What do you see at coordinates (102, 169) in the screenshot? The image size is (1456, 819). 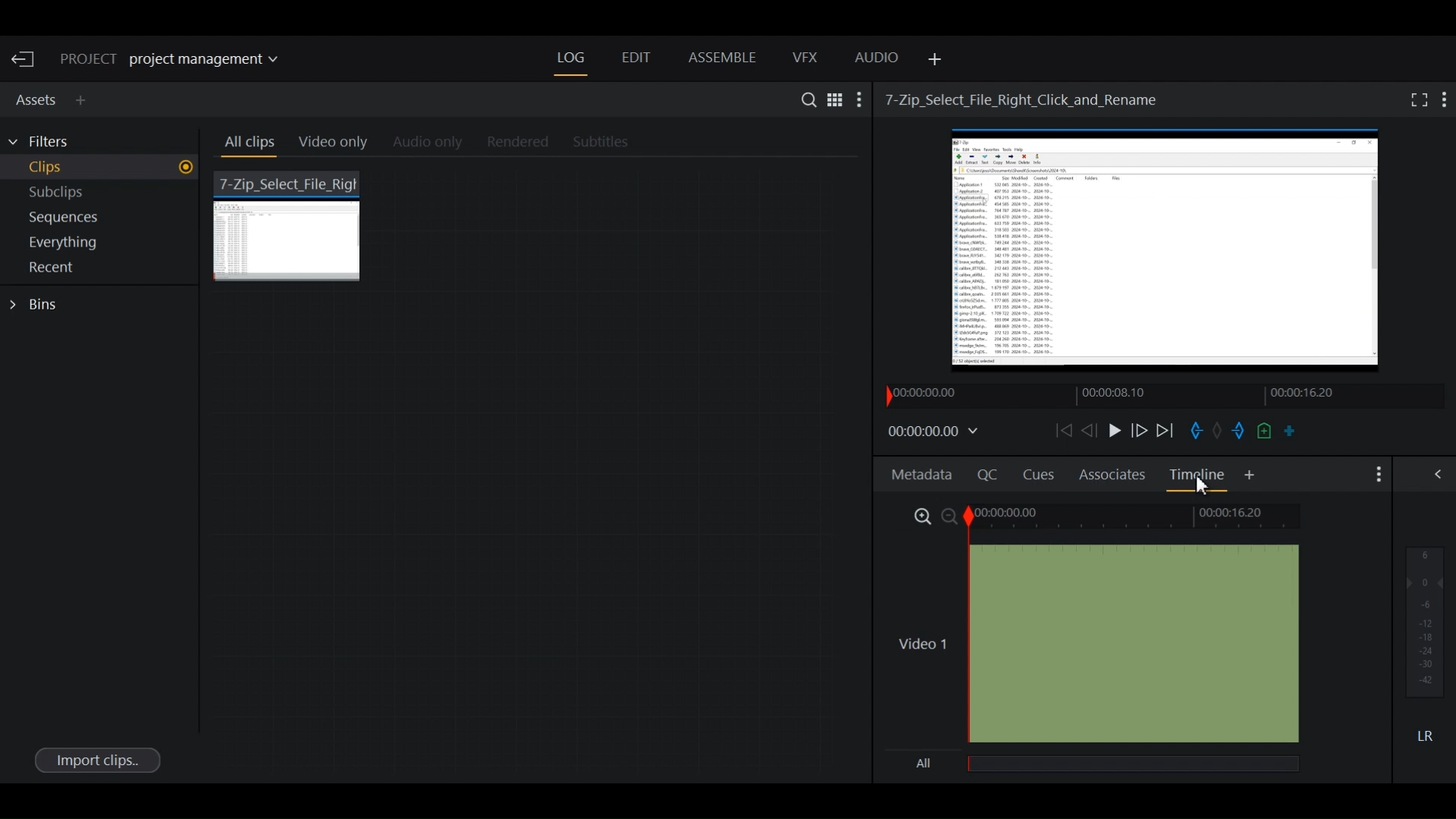 I see `Show Clips in current project` at bounding box center [102, 169].